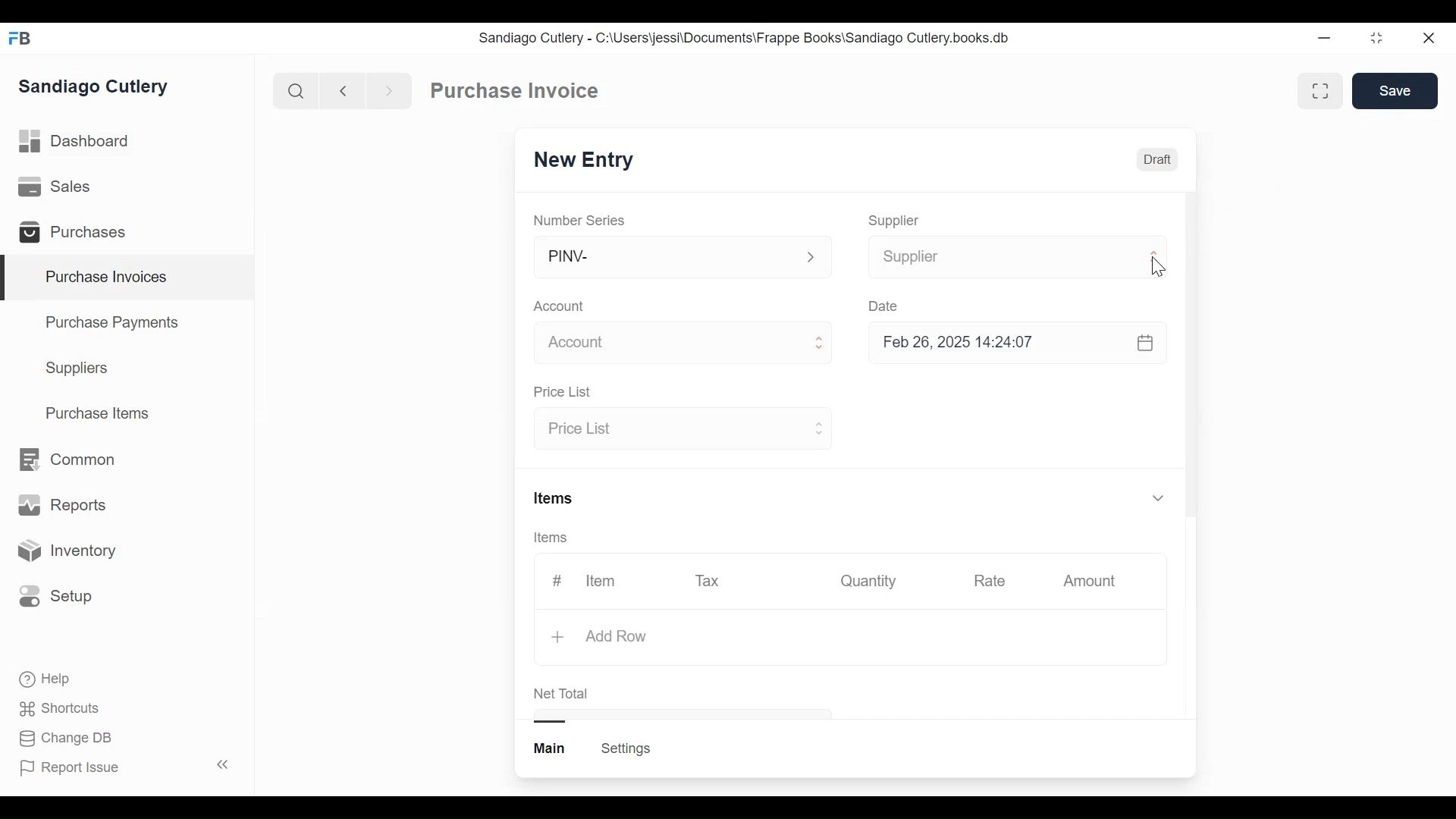 The width and height of the screenshot is (1456, 819). Describe the element at coordinates (61, 708) in the screenshot. I see `Shortcuts` at that location.